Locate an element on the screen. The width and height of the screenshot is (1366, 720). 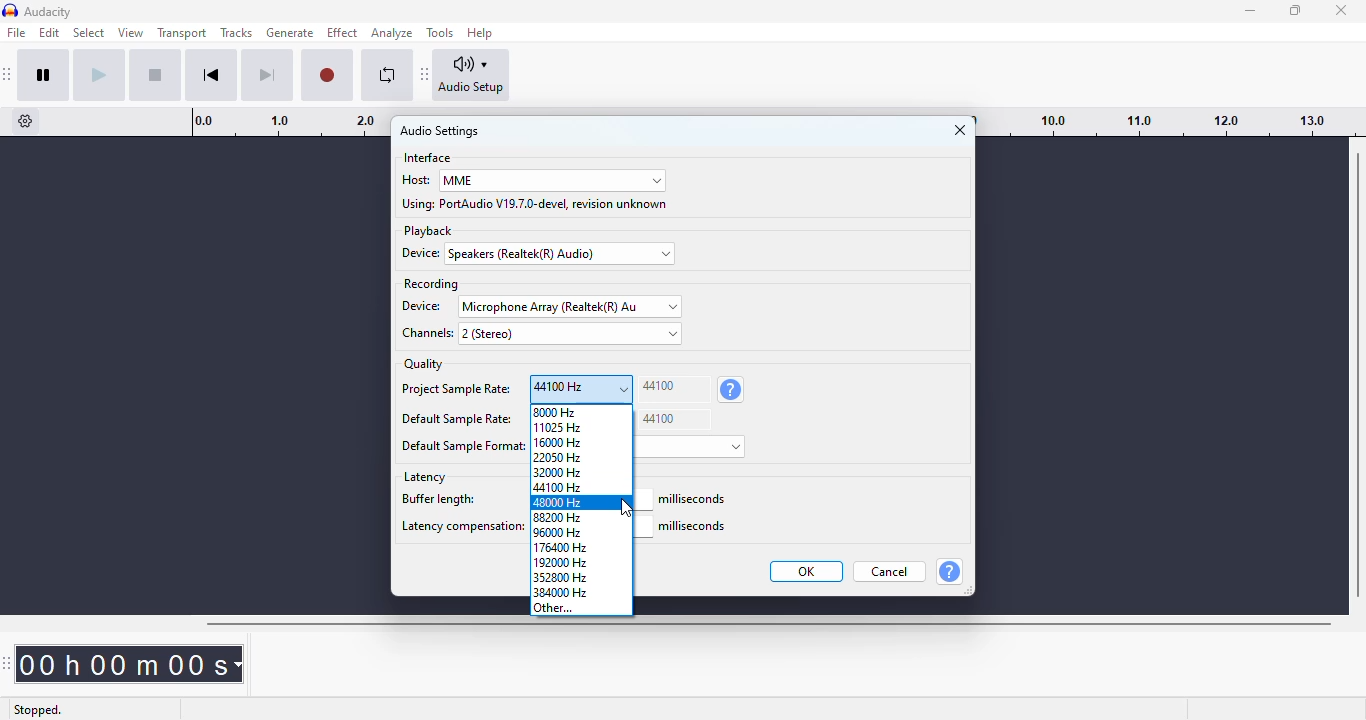
record is located at coordinates (327, 76).